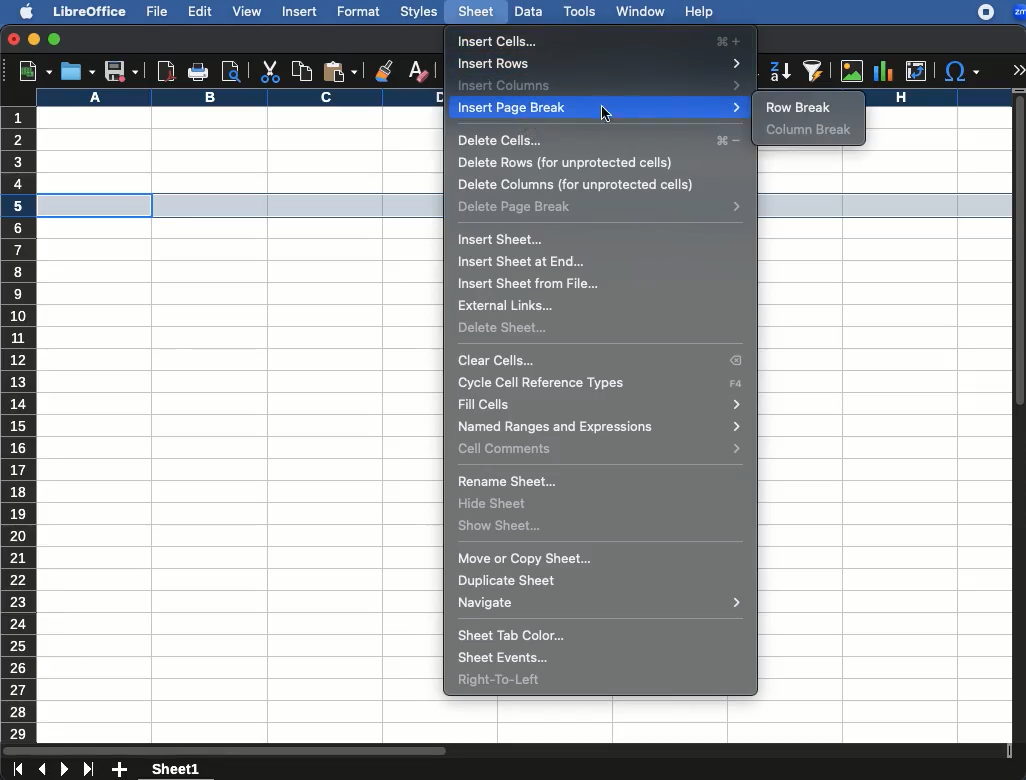 Image resolution: width=1026 pixels, height=780 pixels. What do you see at coordinates (175, 771) in the screenshot?
I see `sheet1` at bounding box center [175, 771].